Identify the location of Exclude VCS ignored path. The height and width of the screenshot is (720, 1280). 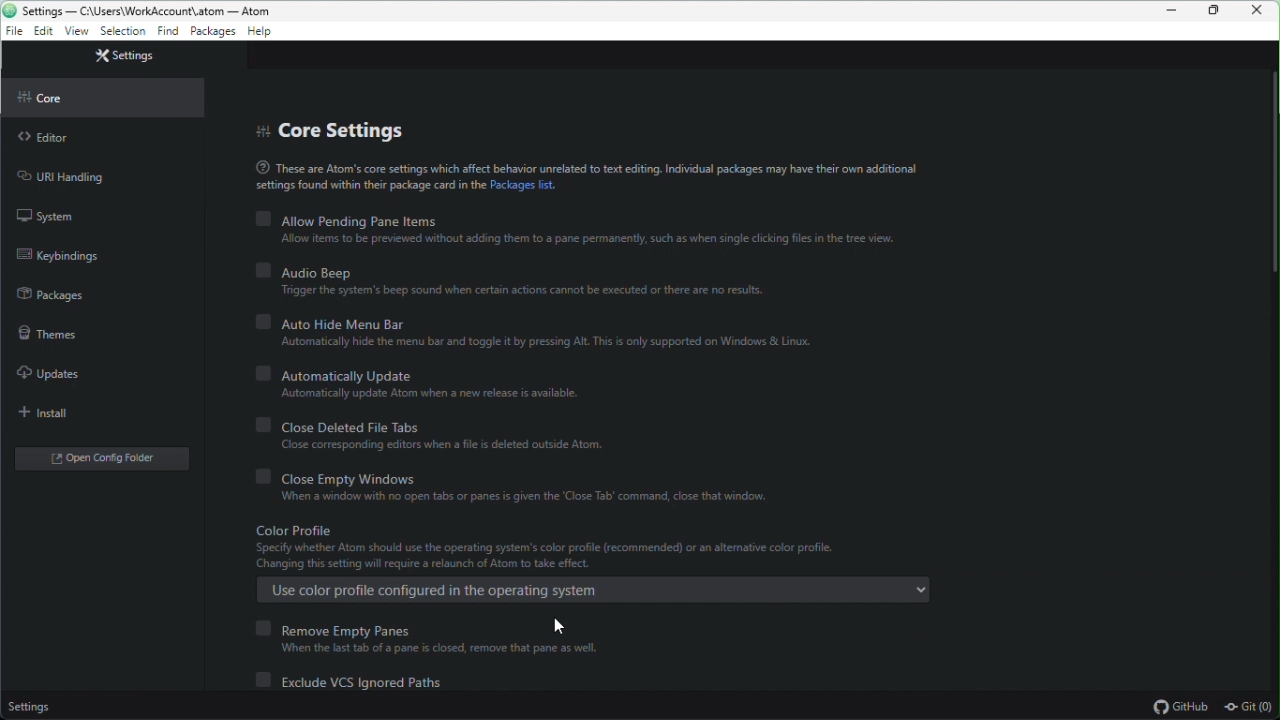
(357, 680).